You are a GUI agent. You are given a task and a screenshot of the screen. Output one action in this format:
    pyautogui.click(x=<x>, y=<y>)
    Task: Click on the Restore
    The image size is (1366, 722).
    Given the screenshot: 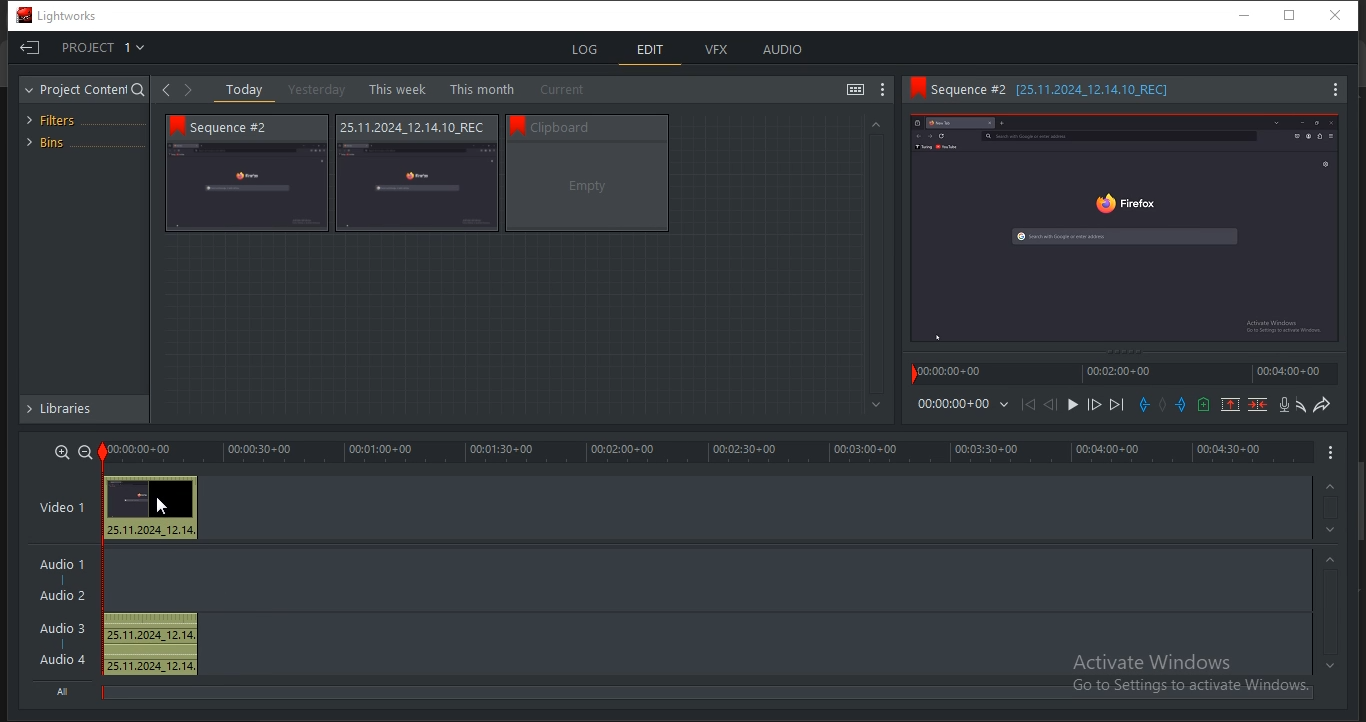 What is the action you would take?
    pyautogui.click(x=1295, y=13)
    